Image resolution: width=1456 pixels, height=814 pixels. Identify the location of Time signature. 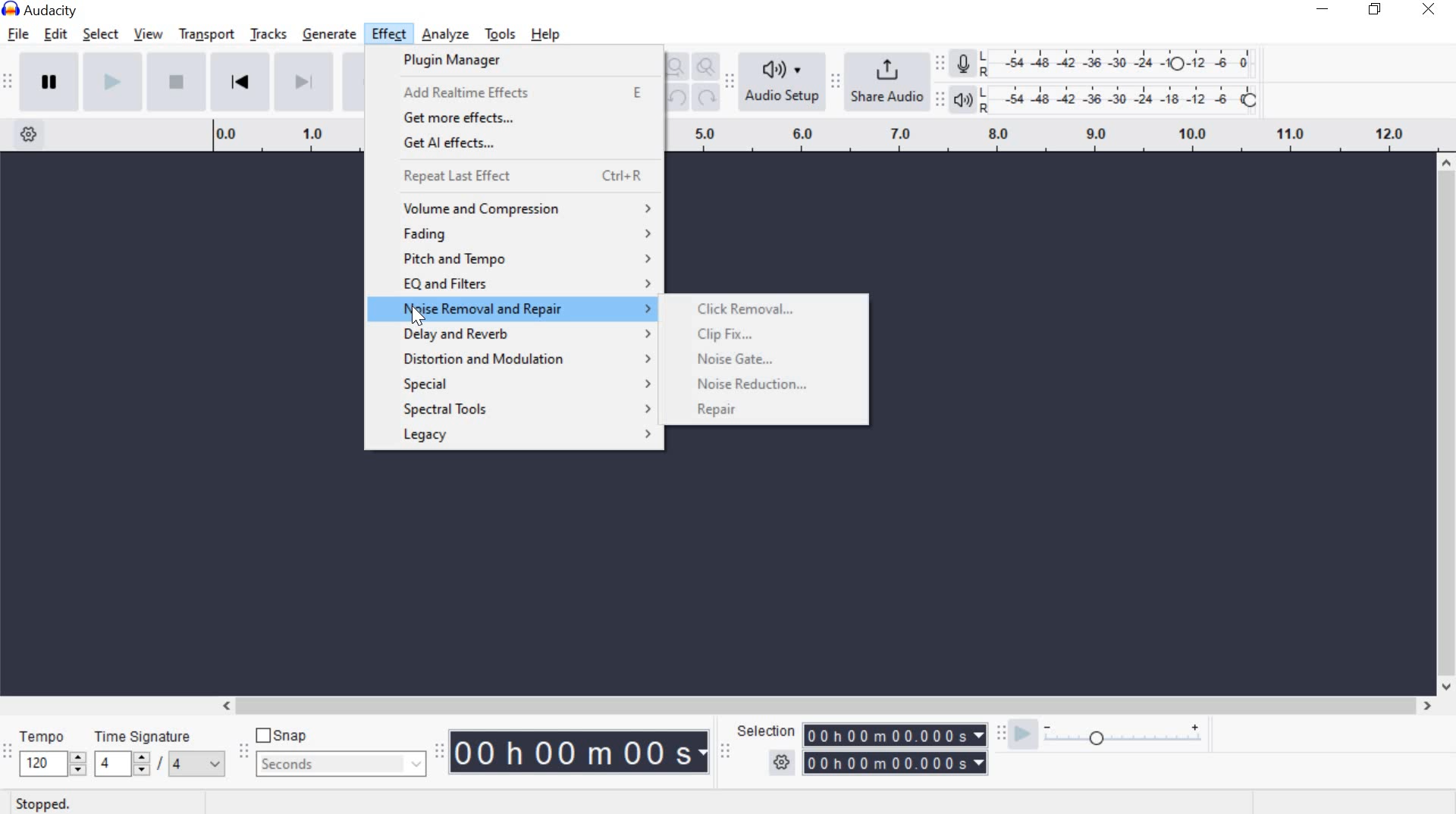
(158, 756).